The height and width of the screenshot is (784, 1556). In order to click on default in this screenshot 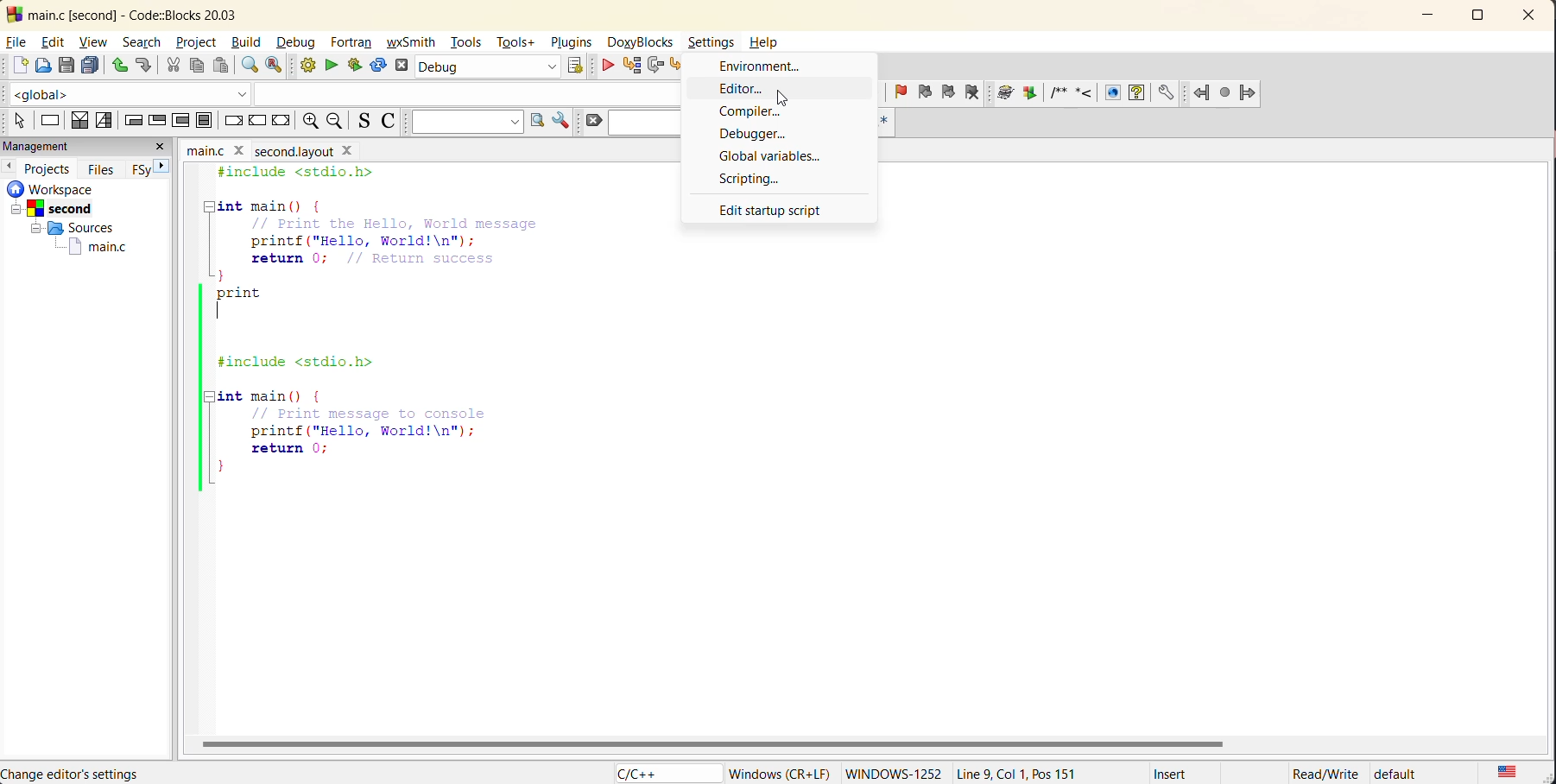, I will do `click(1415, 774)`.